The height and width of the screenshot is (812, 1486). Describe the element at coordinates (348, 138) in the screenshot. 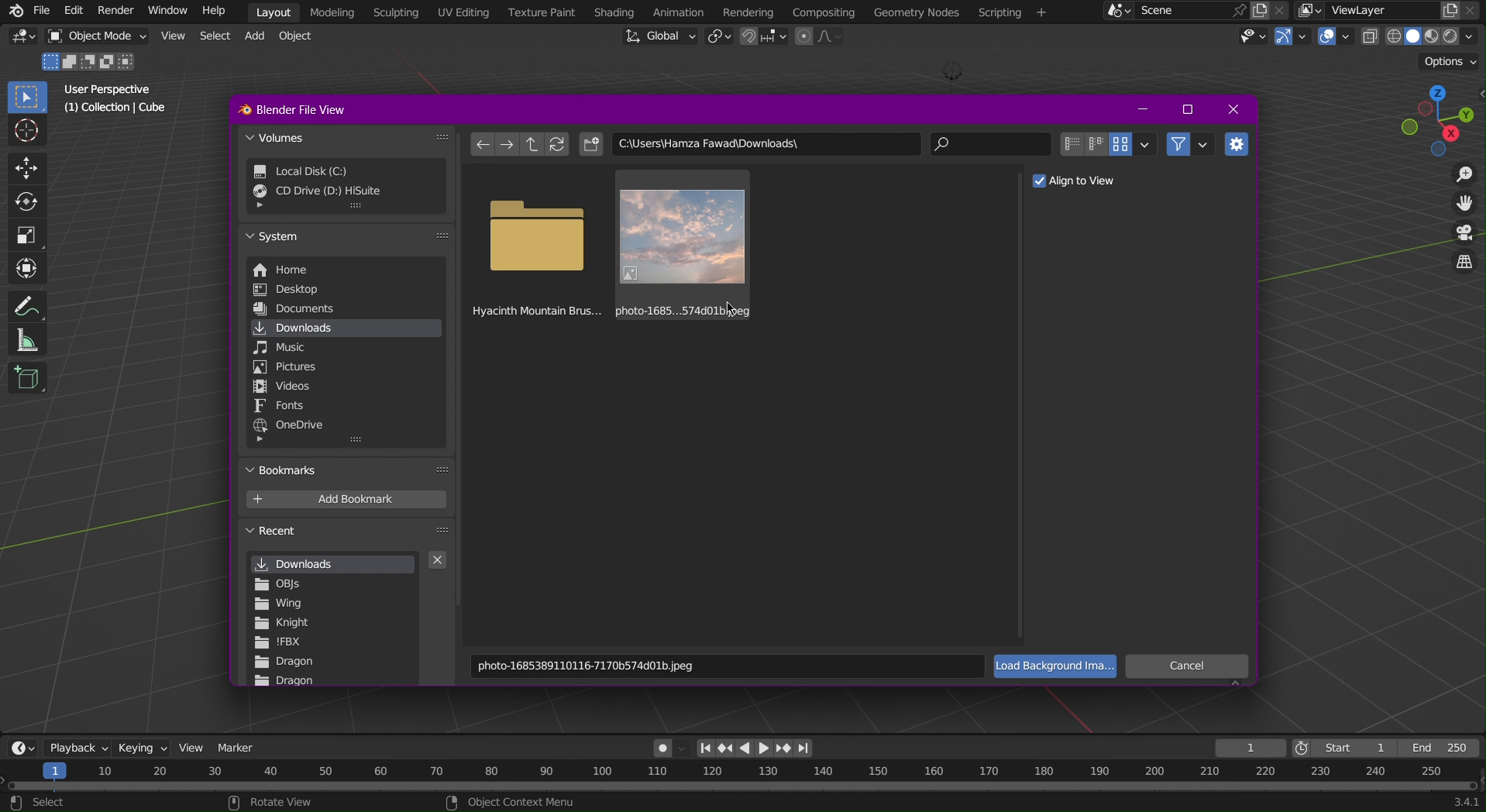

I see `Volumes` at that location.